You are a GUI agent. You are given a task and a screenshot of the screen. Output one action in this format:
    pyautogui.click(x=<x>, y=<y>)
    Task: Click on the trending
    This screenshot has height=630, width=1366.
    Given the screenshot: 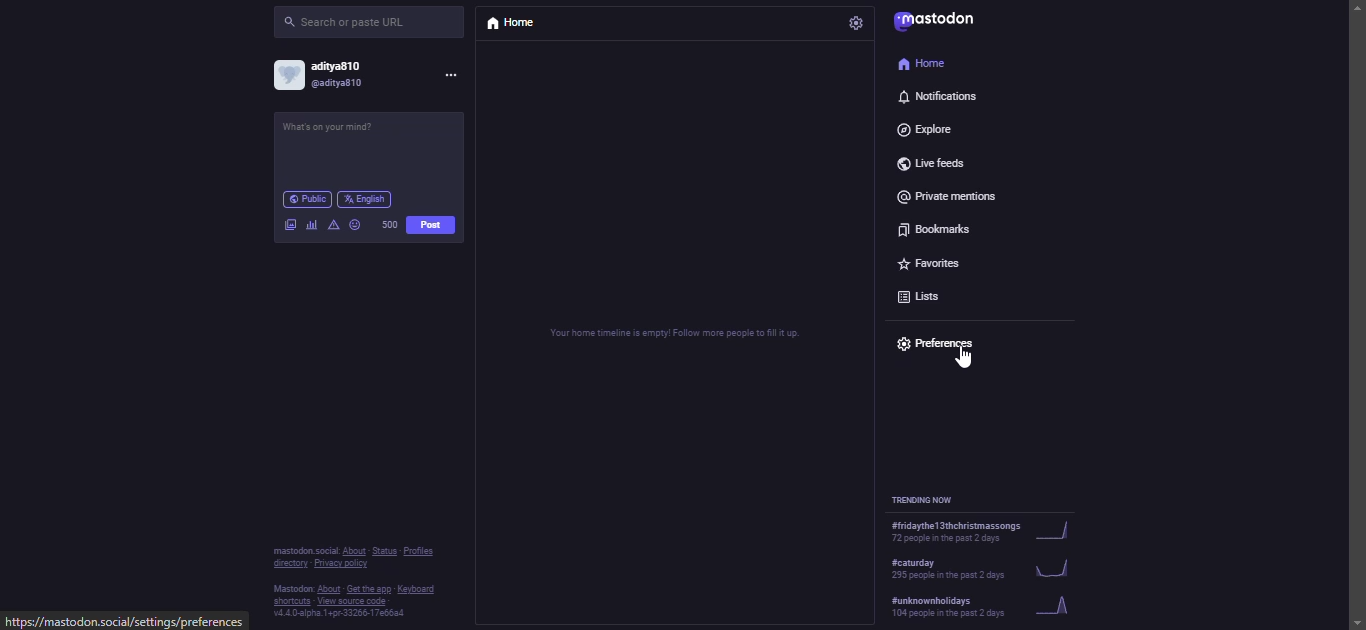 What is the action you would take?
    pyautogui.click(x=969, y=607)
    